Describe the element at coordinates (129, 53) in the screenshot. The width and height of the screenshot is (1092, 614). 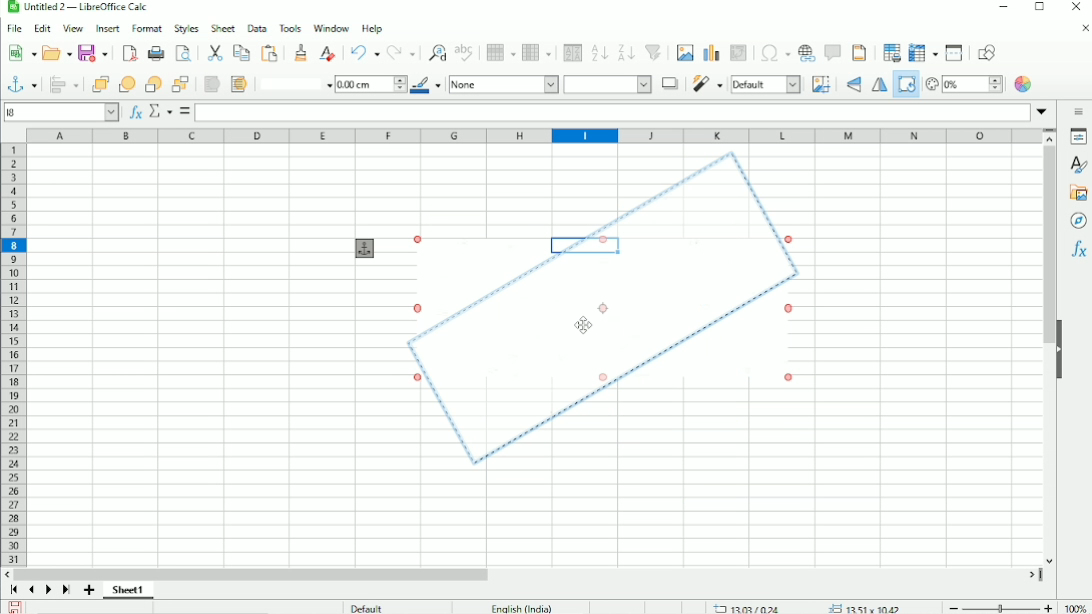
I see `Export as PDF` at that location.